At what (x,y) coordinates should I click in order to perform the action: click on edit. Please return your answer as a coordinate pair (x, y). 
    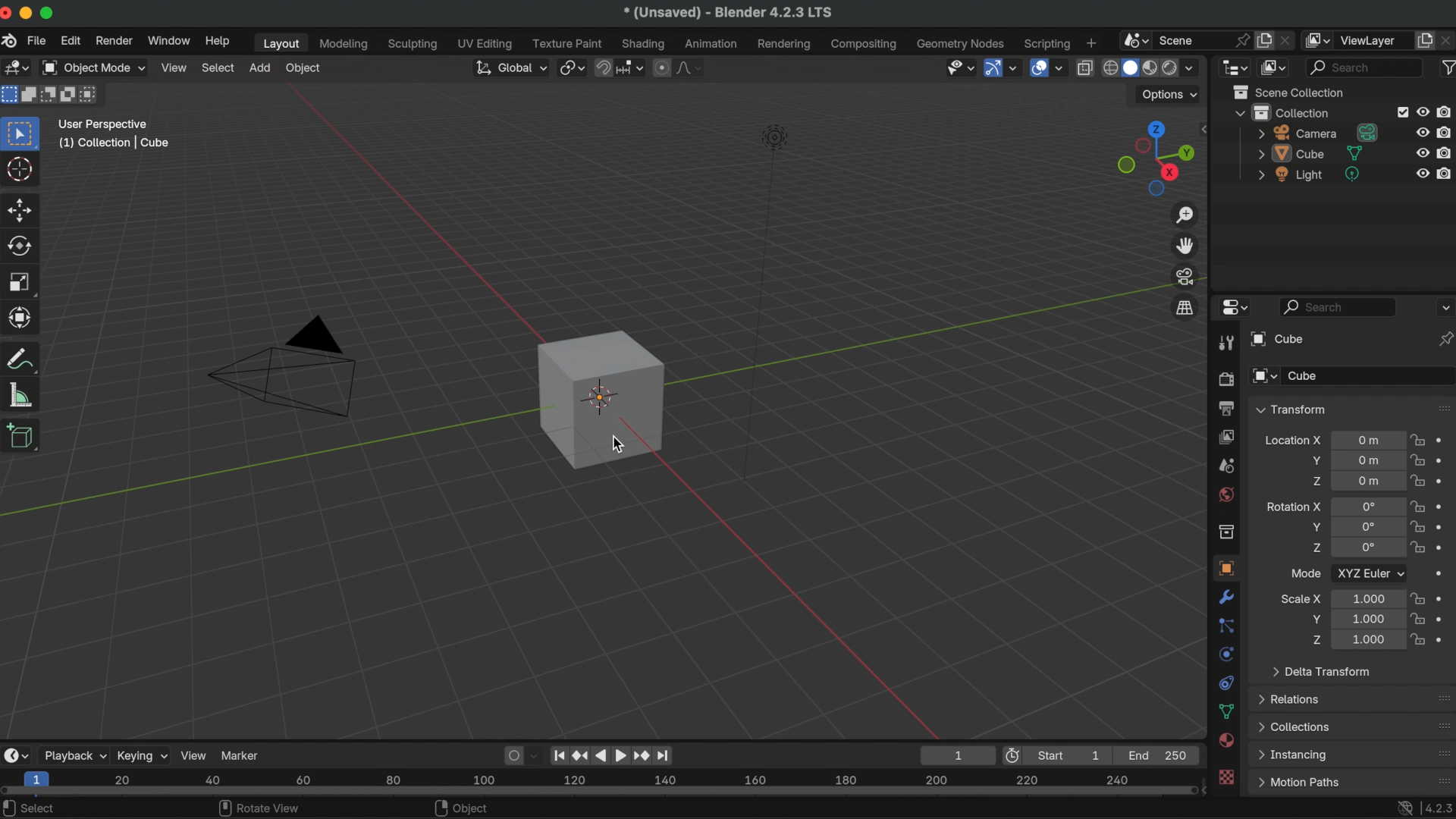
    Looking at the image, I should click on (71, 42).